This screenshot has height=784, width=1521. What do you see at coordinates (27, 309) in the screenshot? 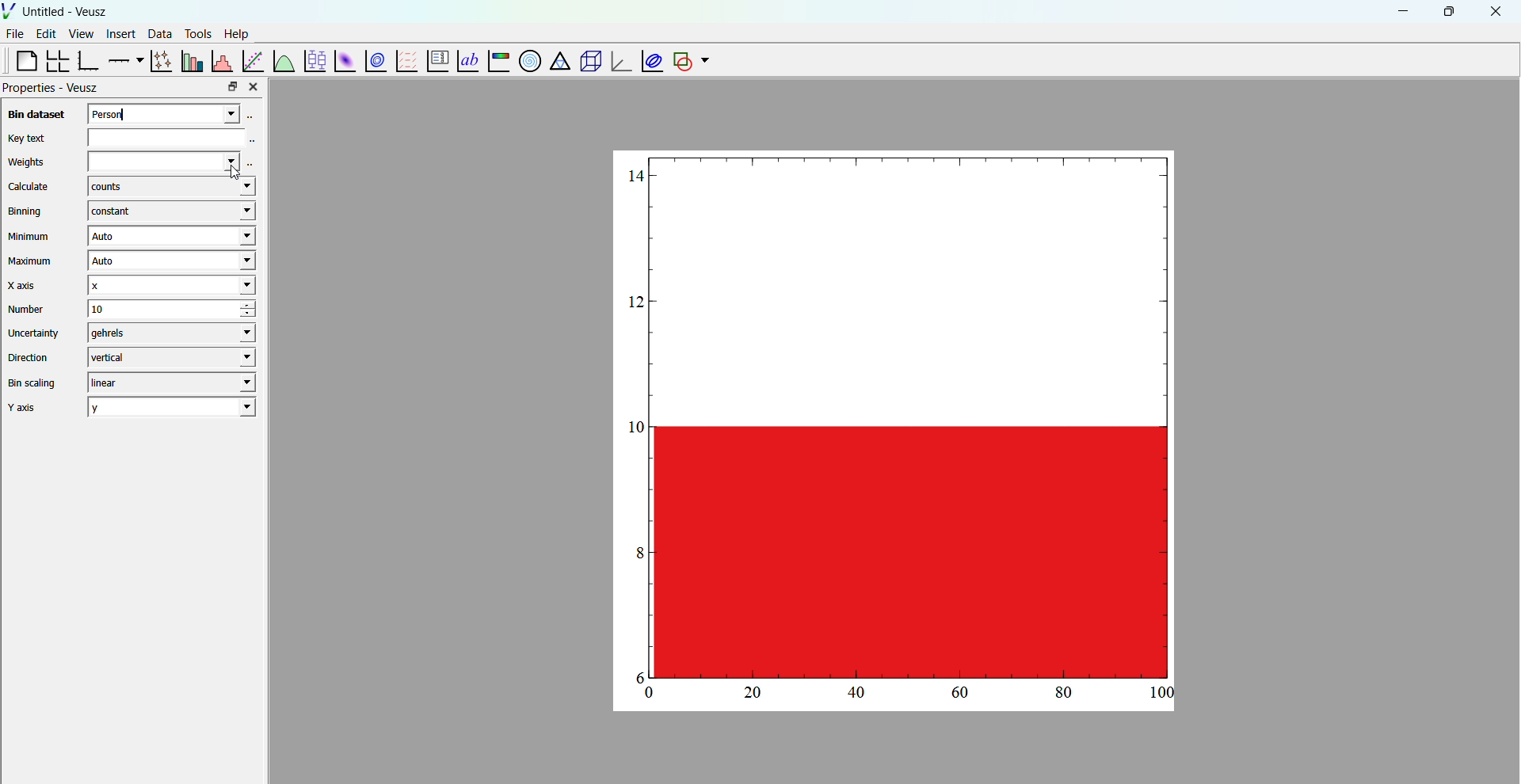
I see `Number` at bounding box center [27, 309].